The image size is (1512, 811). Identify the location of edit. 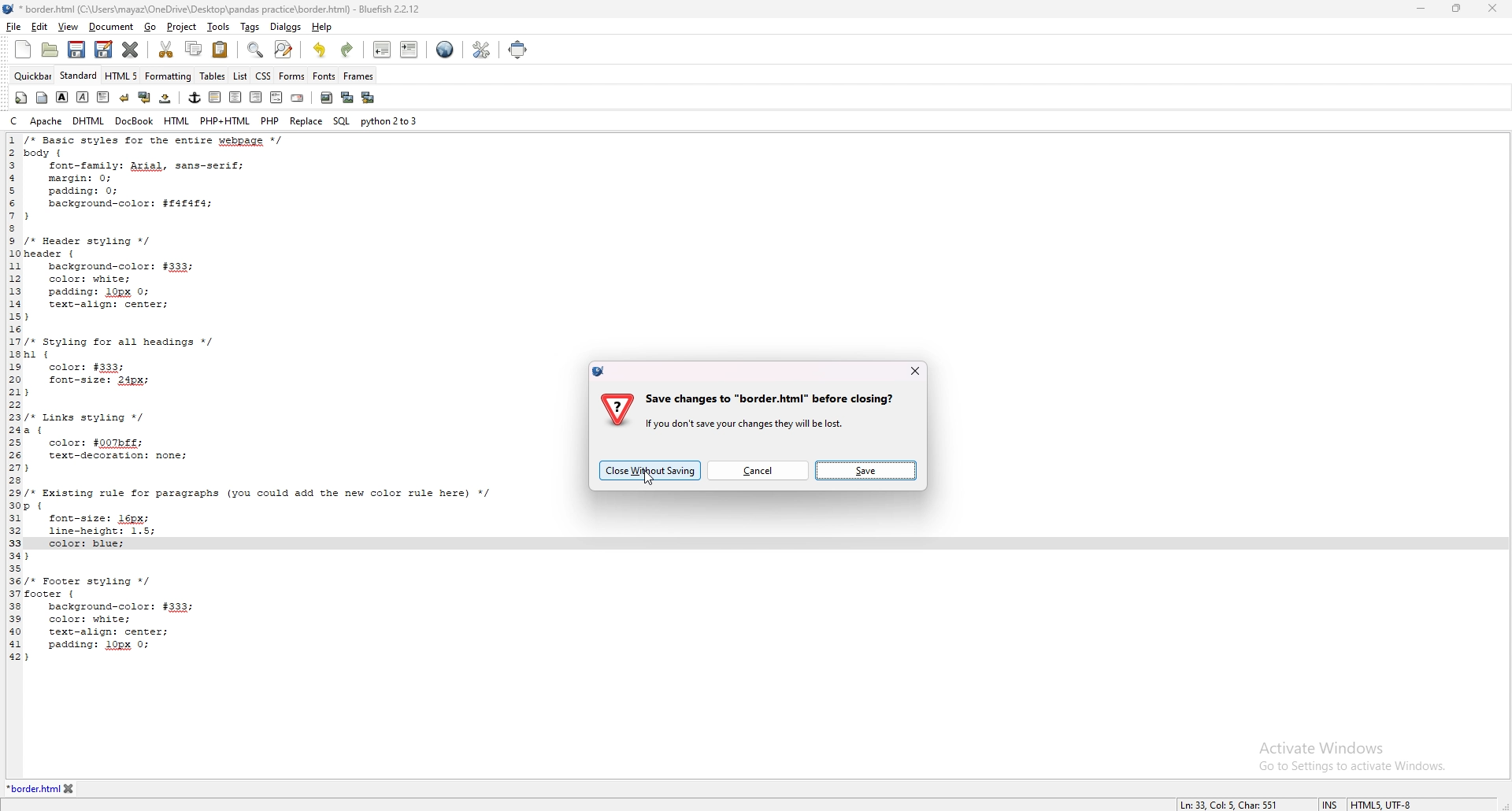
(40, 27).